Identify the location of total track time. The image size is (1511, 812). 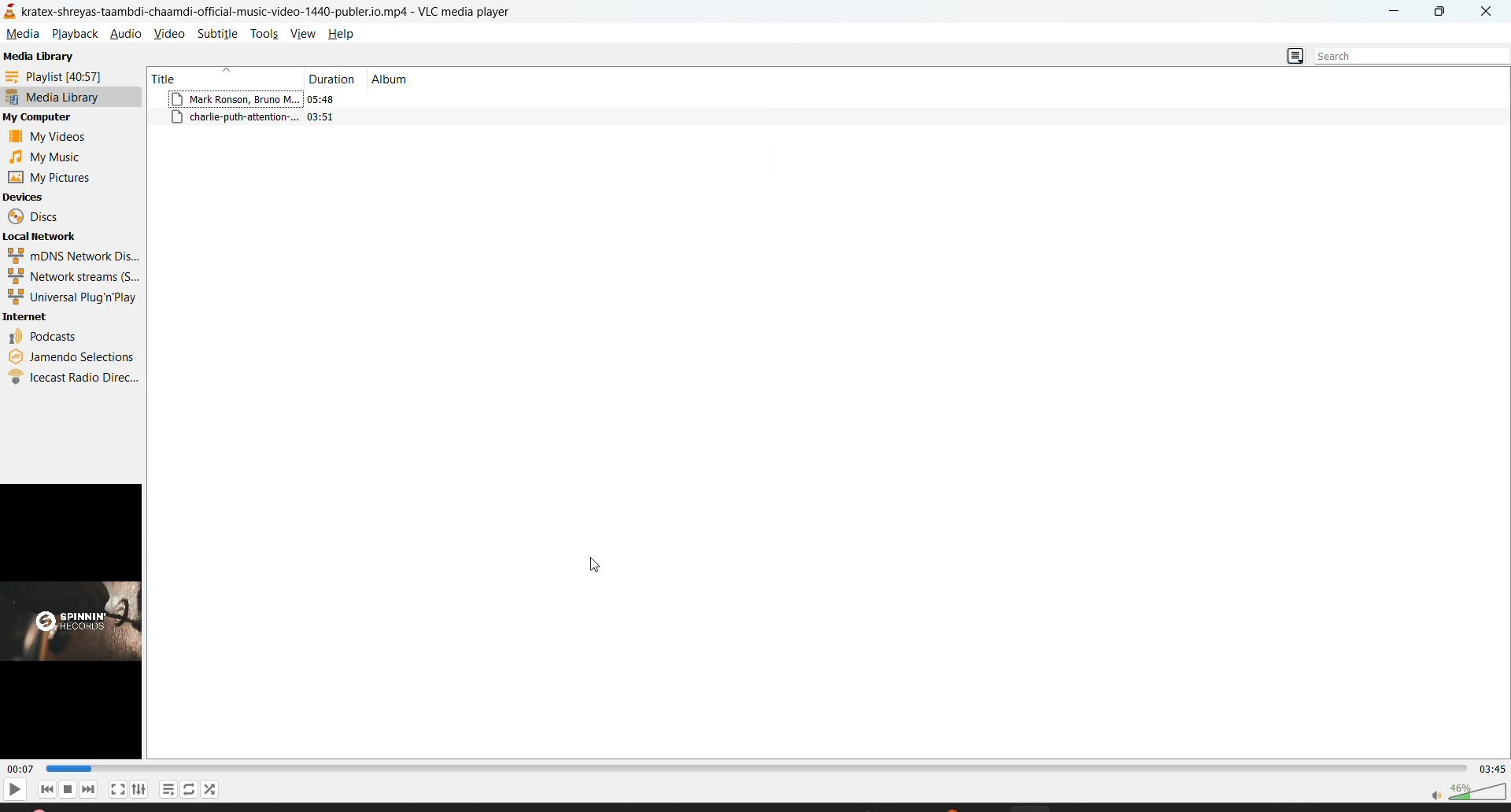
(1494, 770).